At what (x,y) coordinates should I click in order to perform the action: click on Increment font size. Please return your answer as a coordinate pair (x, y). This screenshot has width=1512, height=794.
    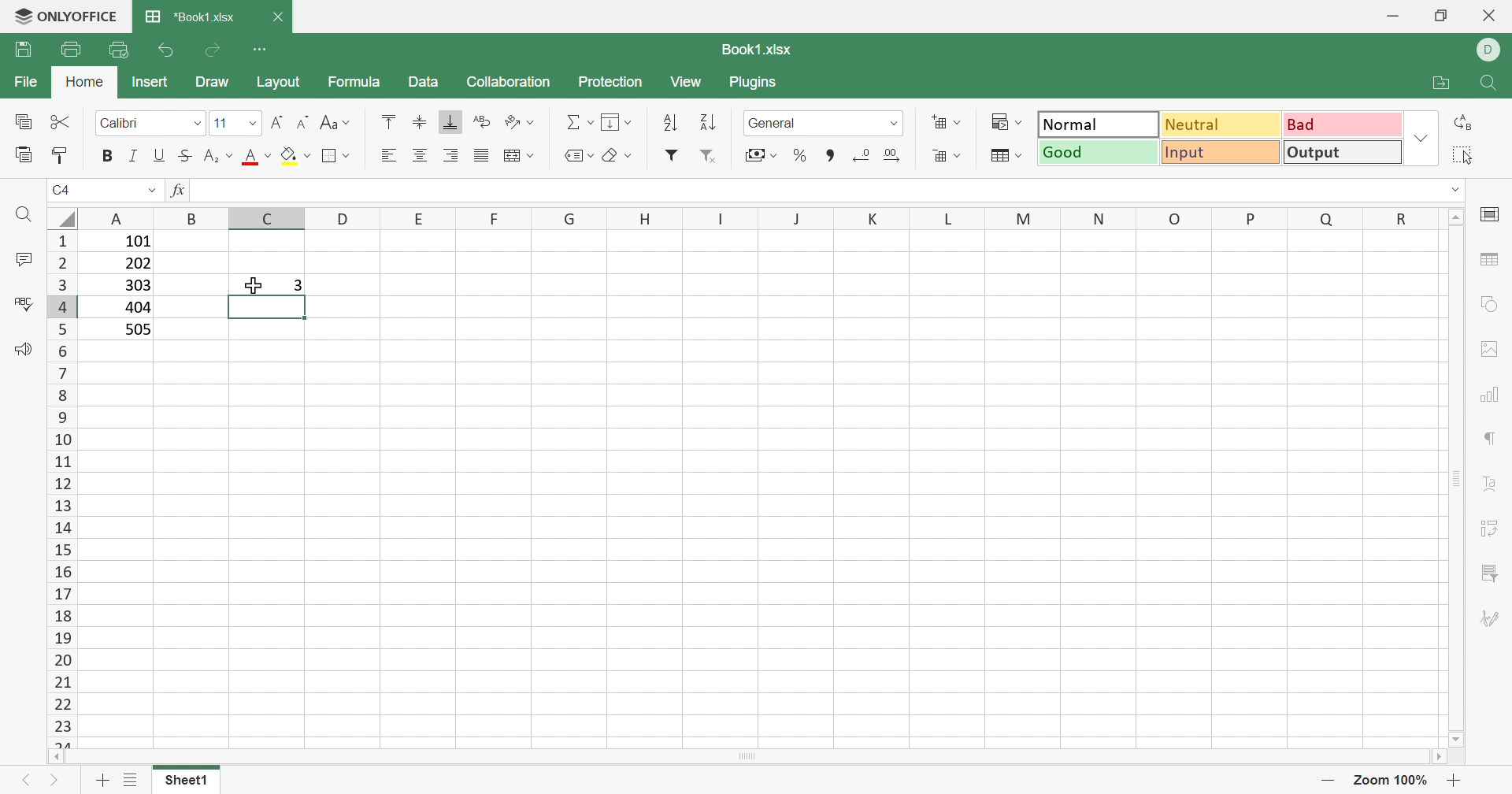
    Looking at the image, I should click on (275, 118).